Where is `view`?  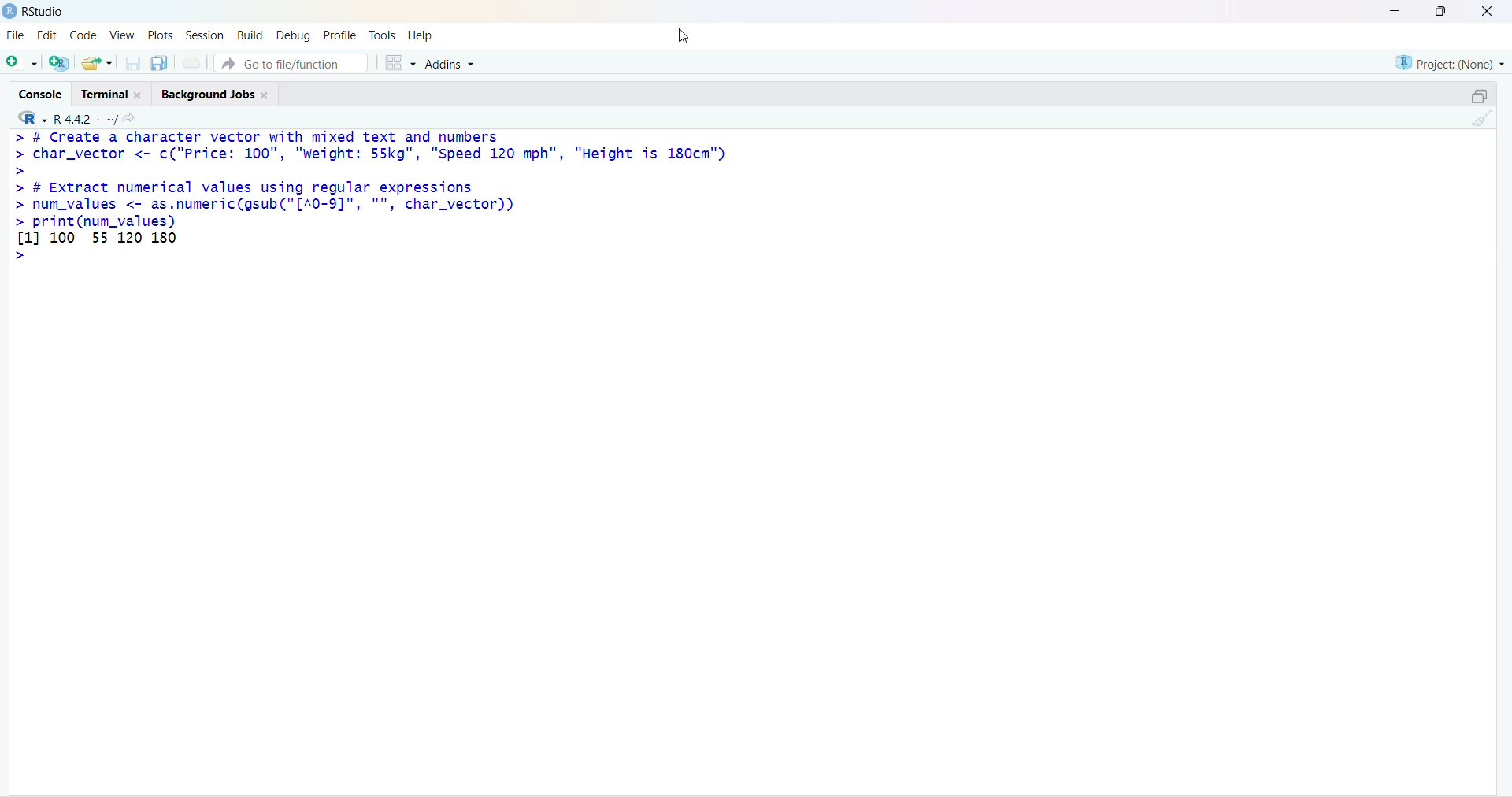 view is located at coordinates (122, 35).